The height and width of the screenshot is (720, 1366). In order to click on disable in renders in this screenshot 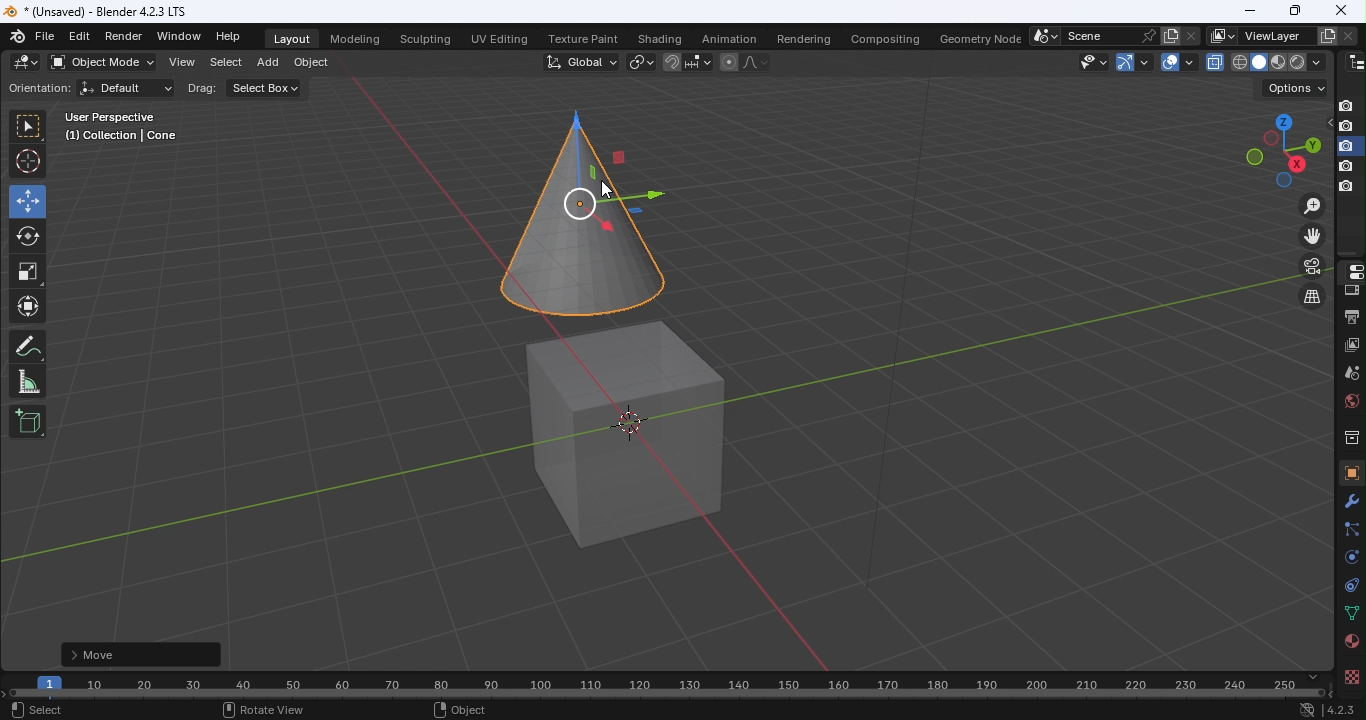, I will do `click(1346, 146)`.